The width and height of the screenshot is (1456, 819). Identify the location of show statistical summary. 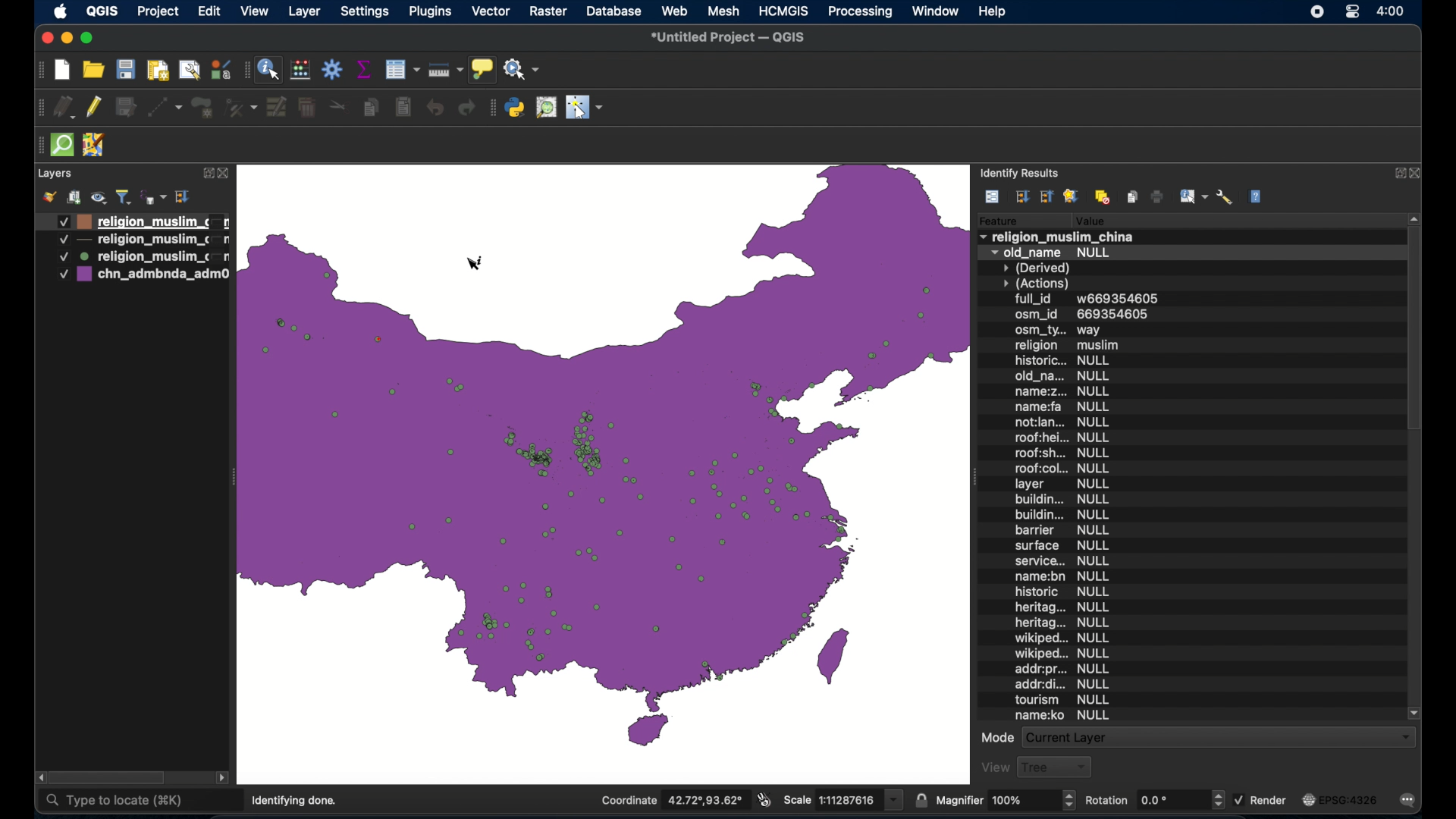
(365, 69).